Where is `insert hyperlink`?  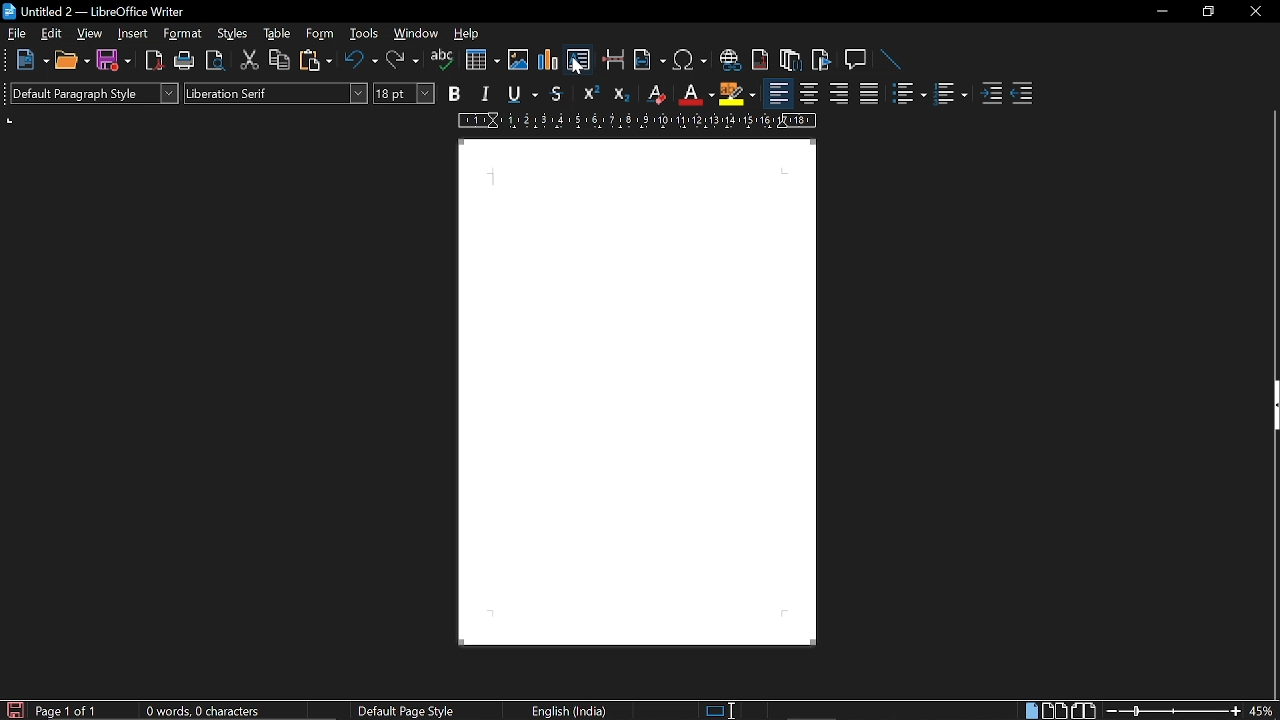
insert hyperlink is located at coordinates (730, 62).